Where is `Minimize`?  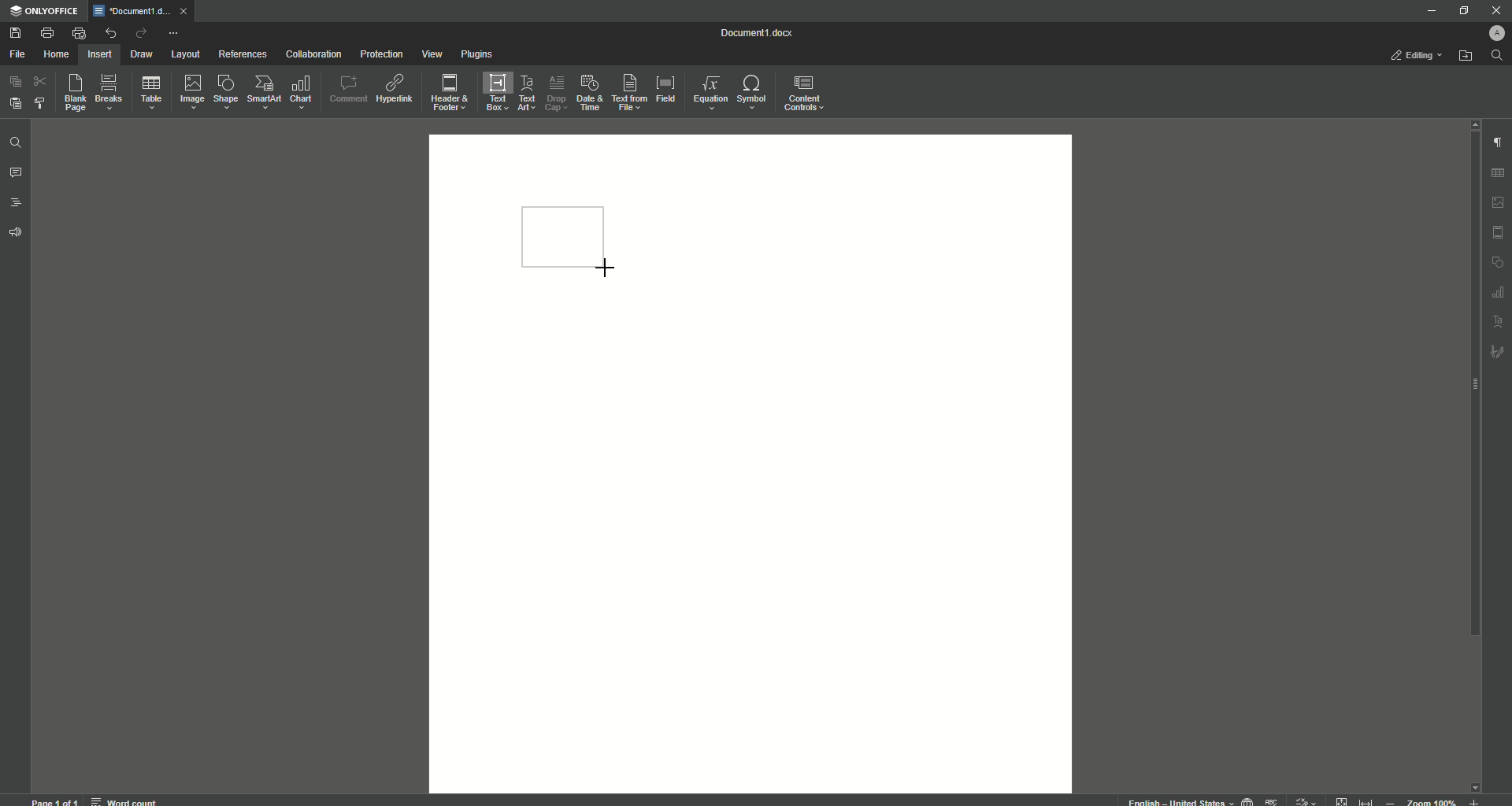
Minimize is located at coordinates (1427, 10).